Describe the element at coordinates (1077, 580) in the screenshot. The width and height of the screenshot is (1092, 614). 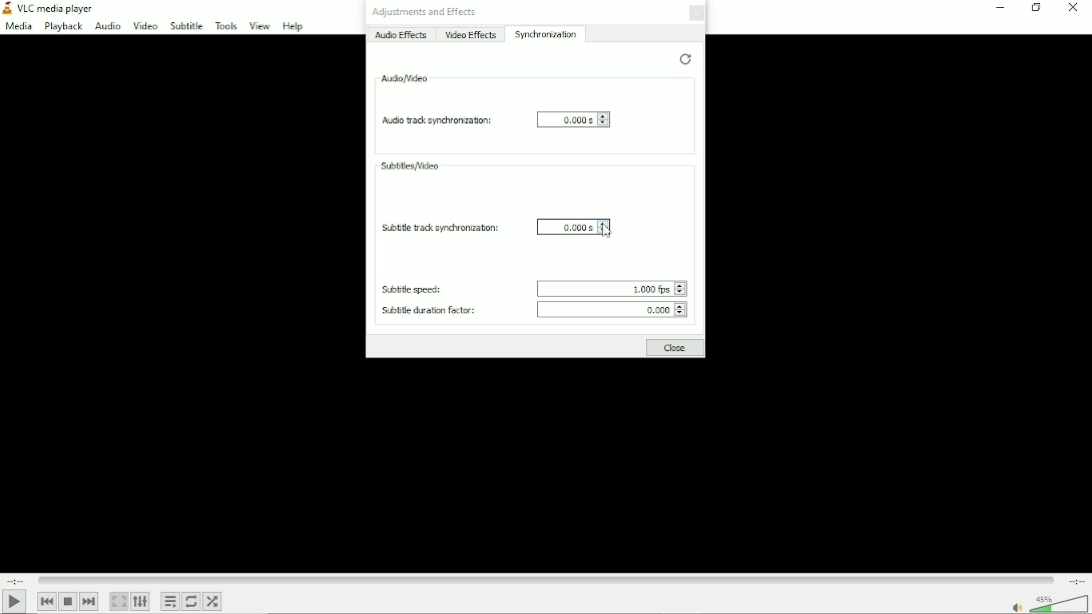
I see `Total duration` at that location.